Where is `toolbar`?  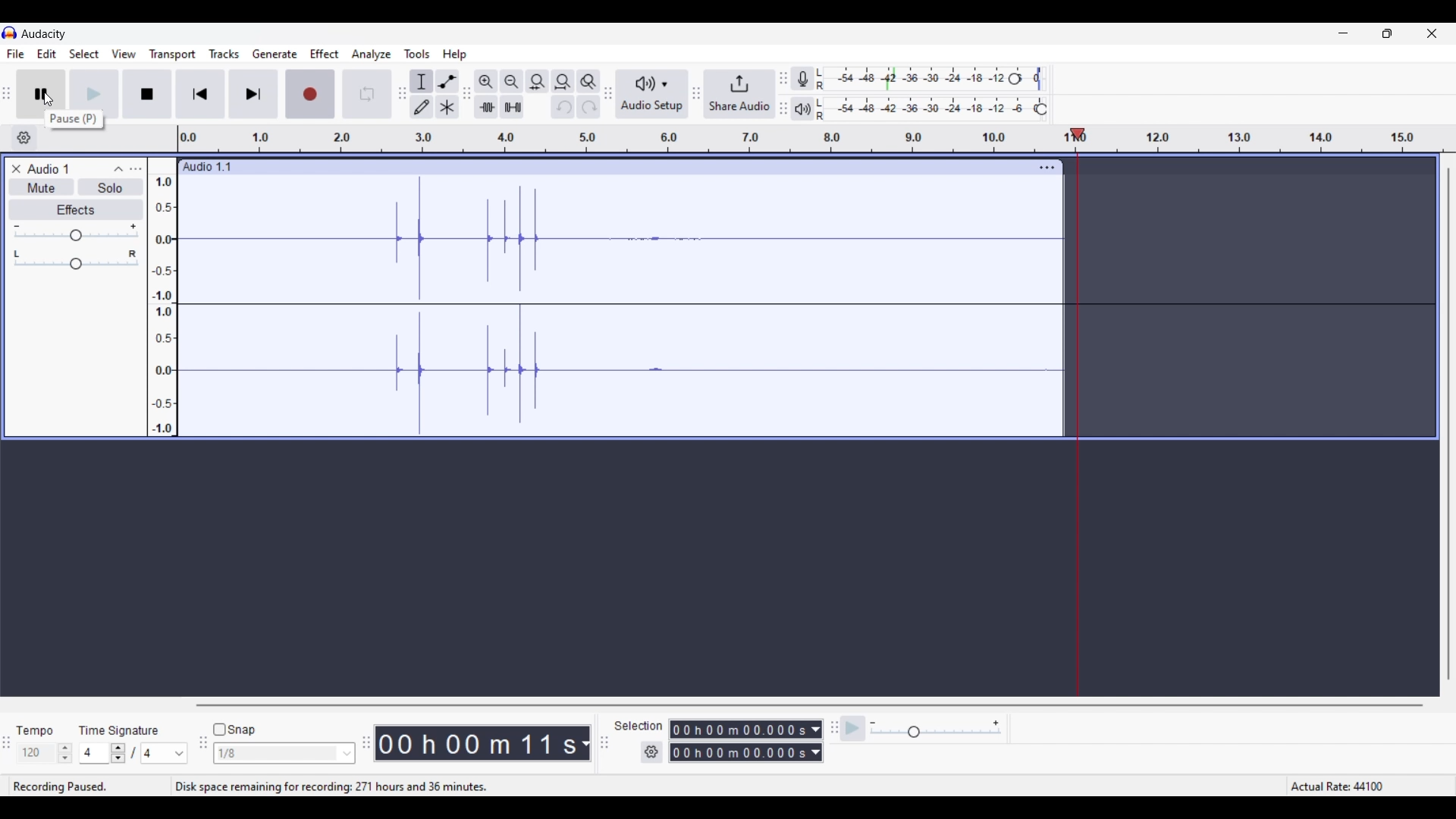 toolbar is located at coordinates (607, 745).